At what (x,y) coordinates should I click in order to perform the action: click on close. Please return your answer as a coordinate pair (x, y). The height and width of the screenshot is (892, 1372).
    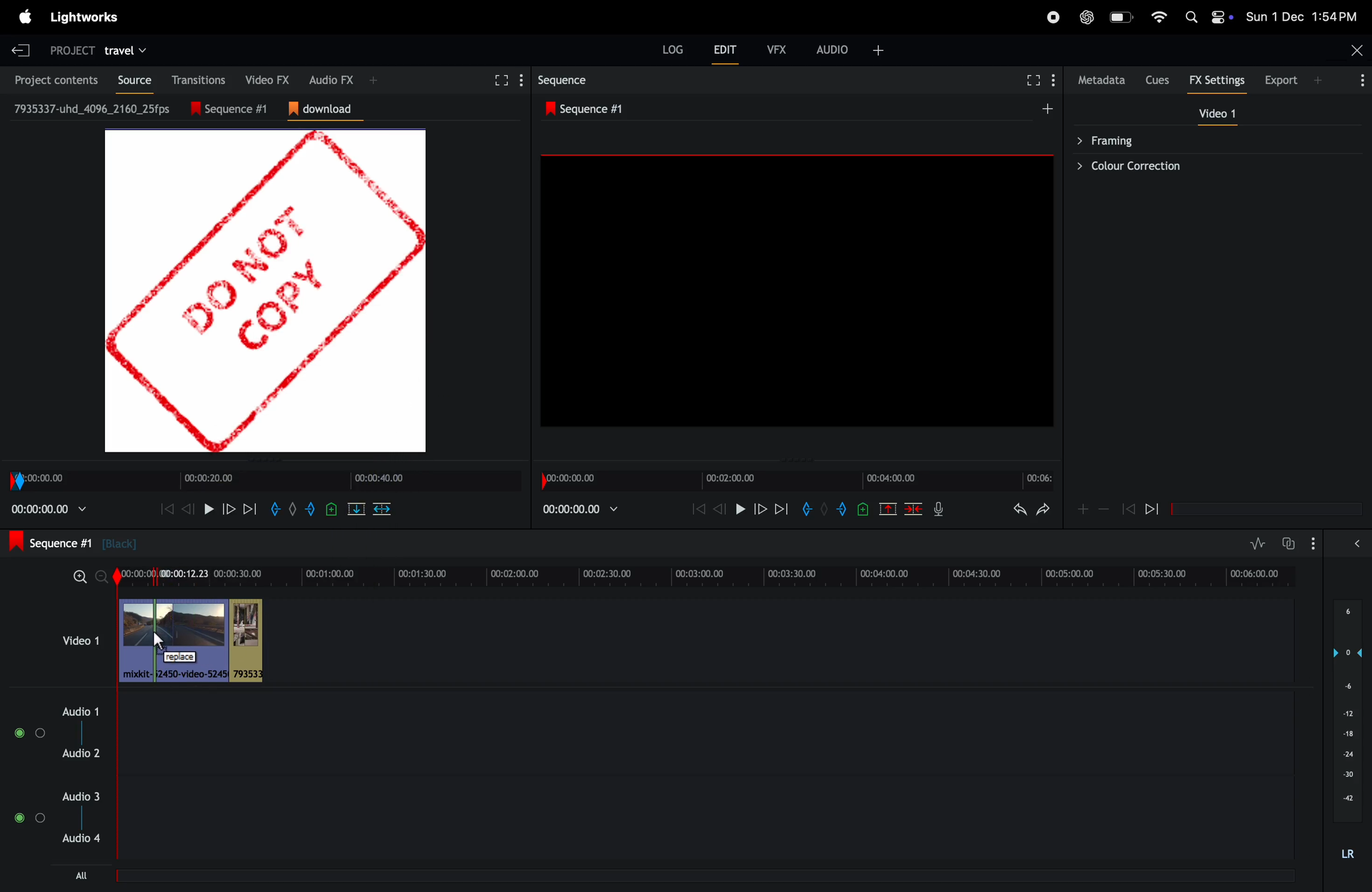
    Looking at the image, I should click on (1358, 50).